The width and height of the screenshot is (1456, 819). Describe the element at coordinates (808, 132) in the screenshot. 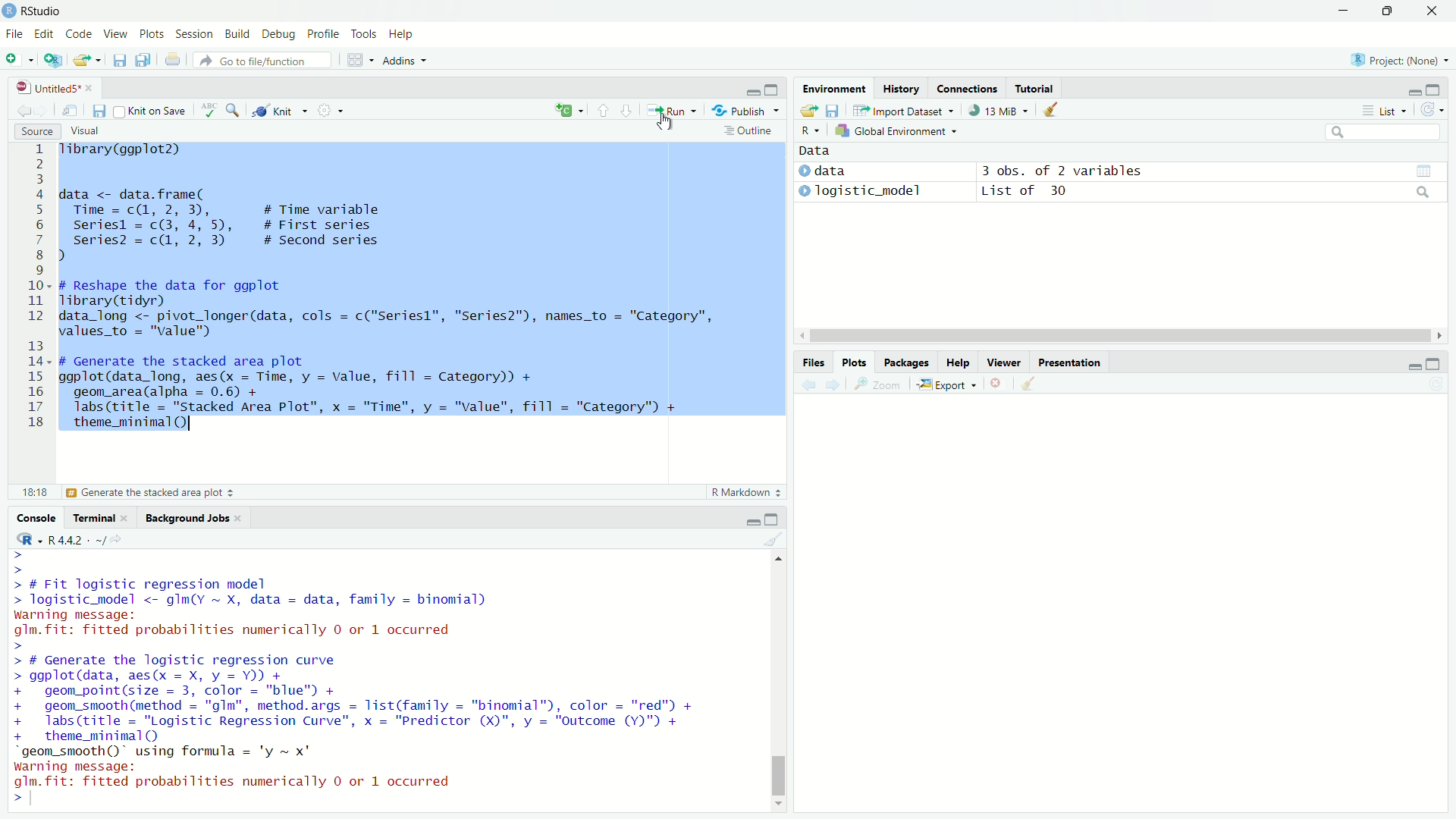

I see `R~` at that location.